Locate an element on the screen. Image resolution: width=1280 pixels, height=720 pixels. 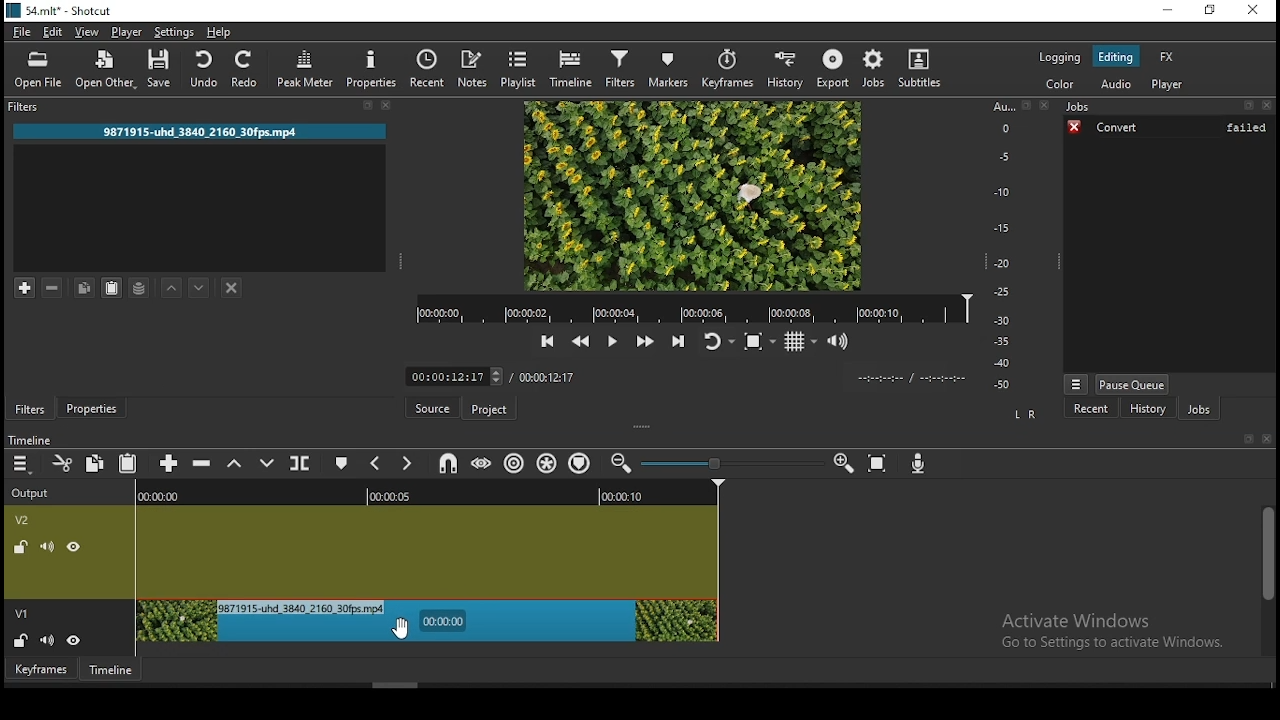
playlist is located at coordinates (519, 68).